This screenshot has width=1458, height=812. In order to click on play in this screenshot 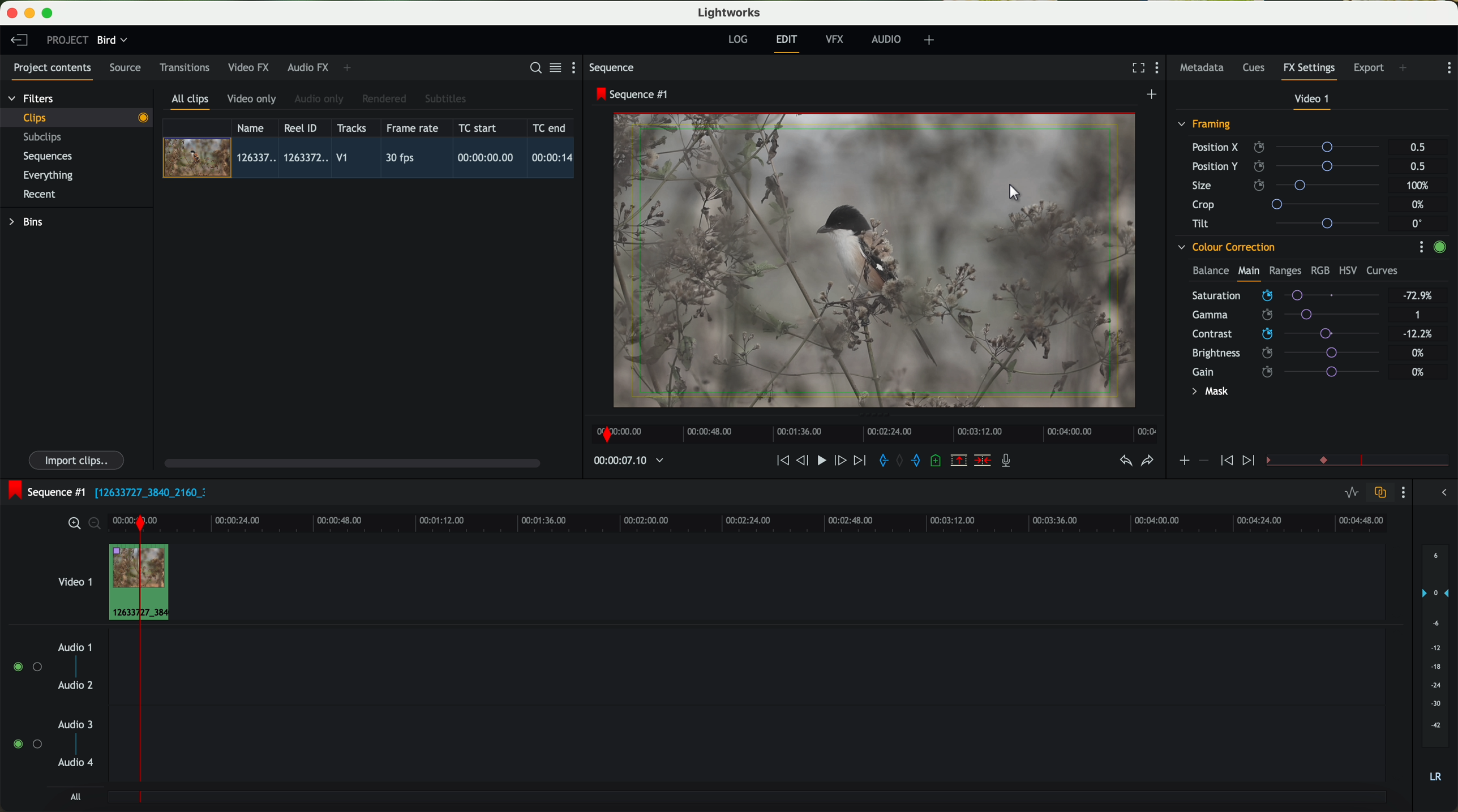, I will do `click(821, 459)`.